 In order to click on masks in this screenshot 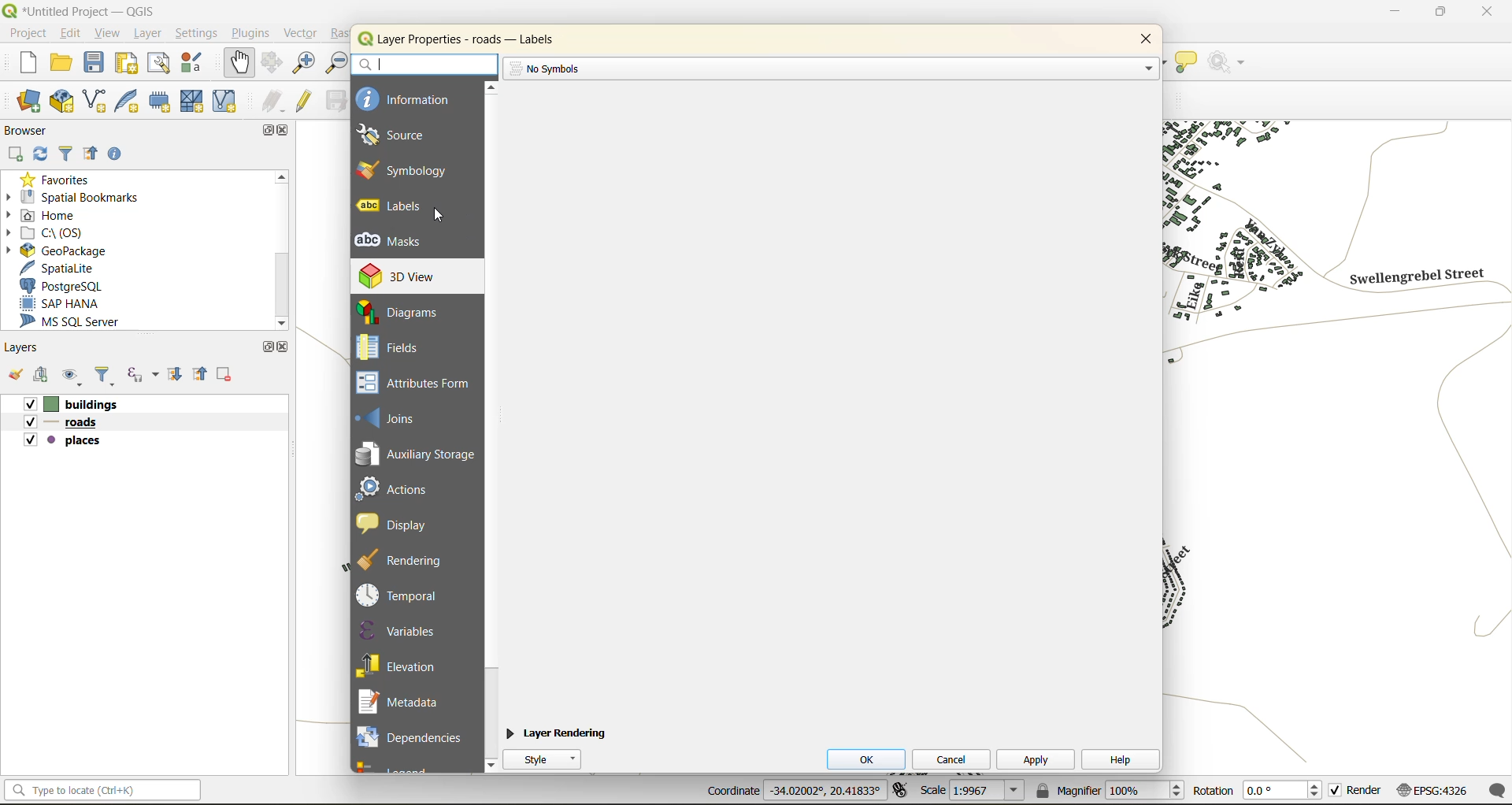, I will do `click(397, 241)`.